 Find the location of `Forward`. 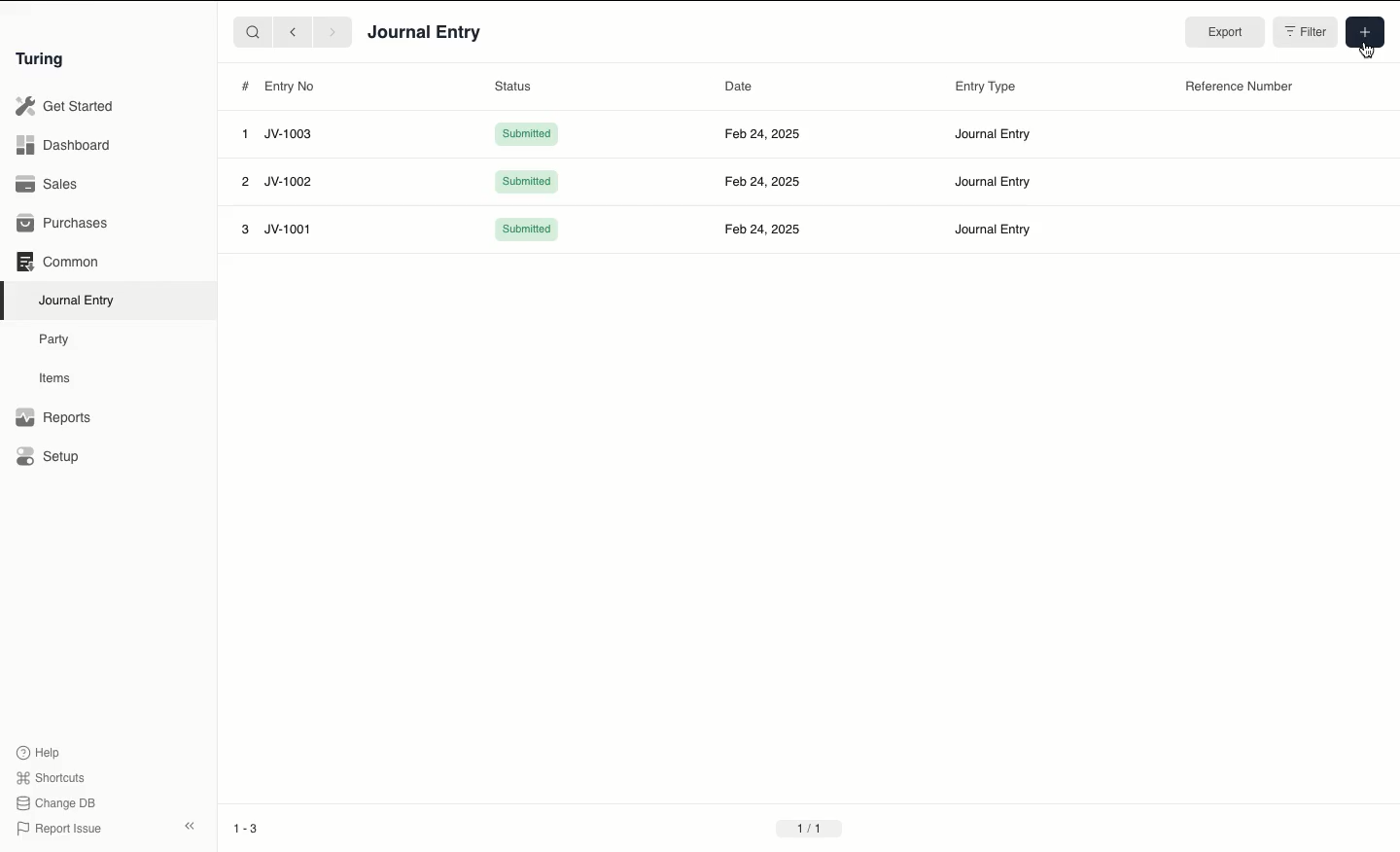

Forward is located at coordinates (333, 31).